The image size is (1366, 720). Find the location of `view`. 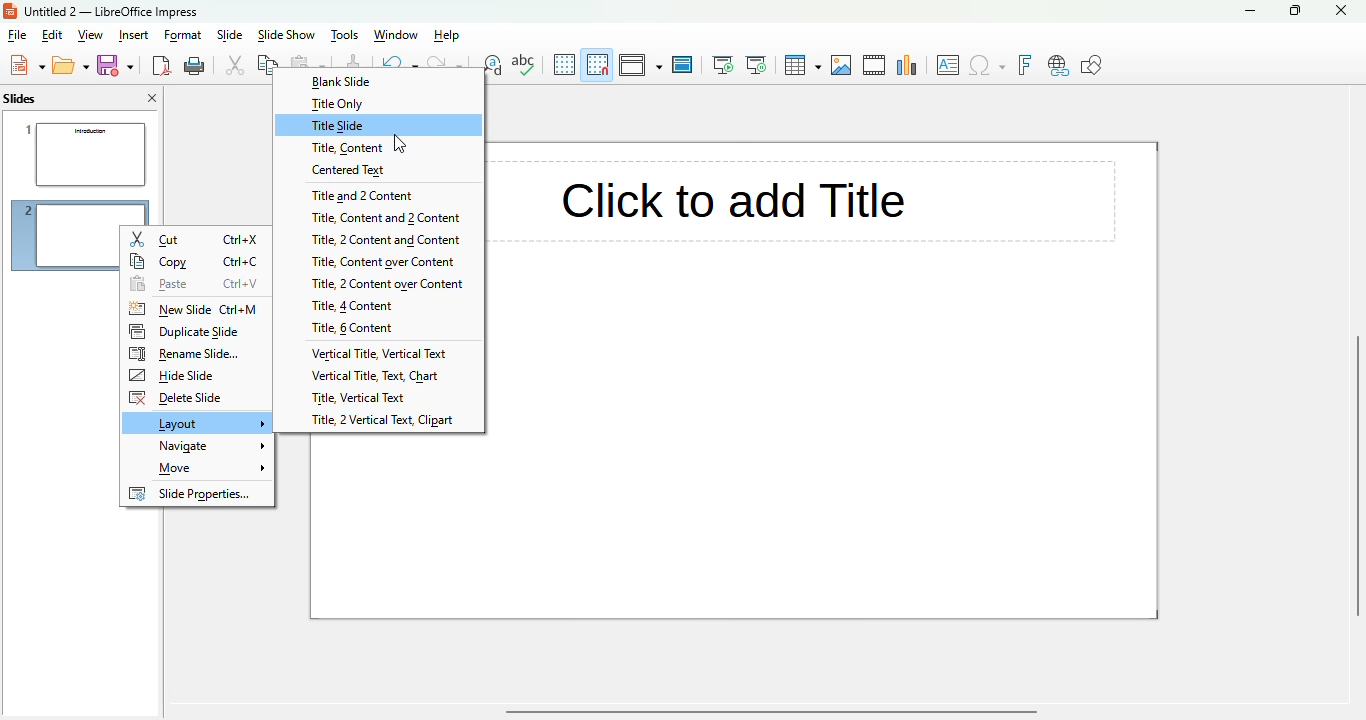

view is located at coordinates (90, 35).